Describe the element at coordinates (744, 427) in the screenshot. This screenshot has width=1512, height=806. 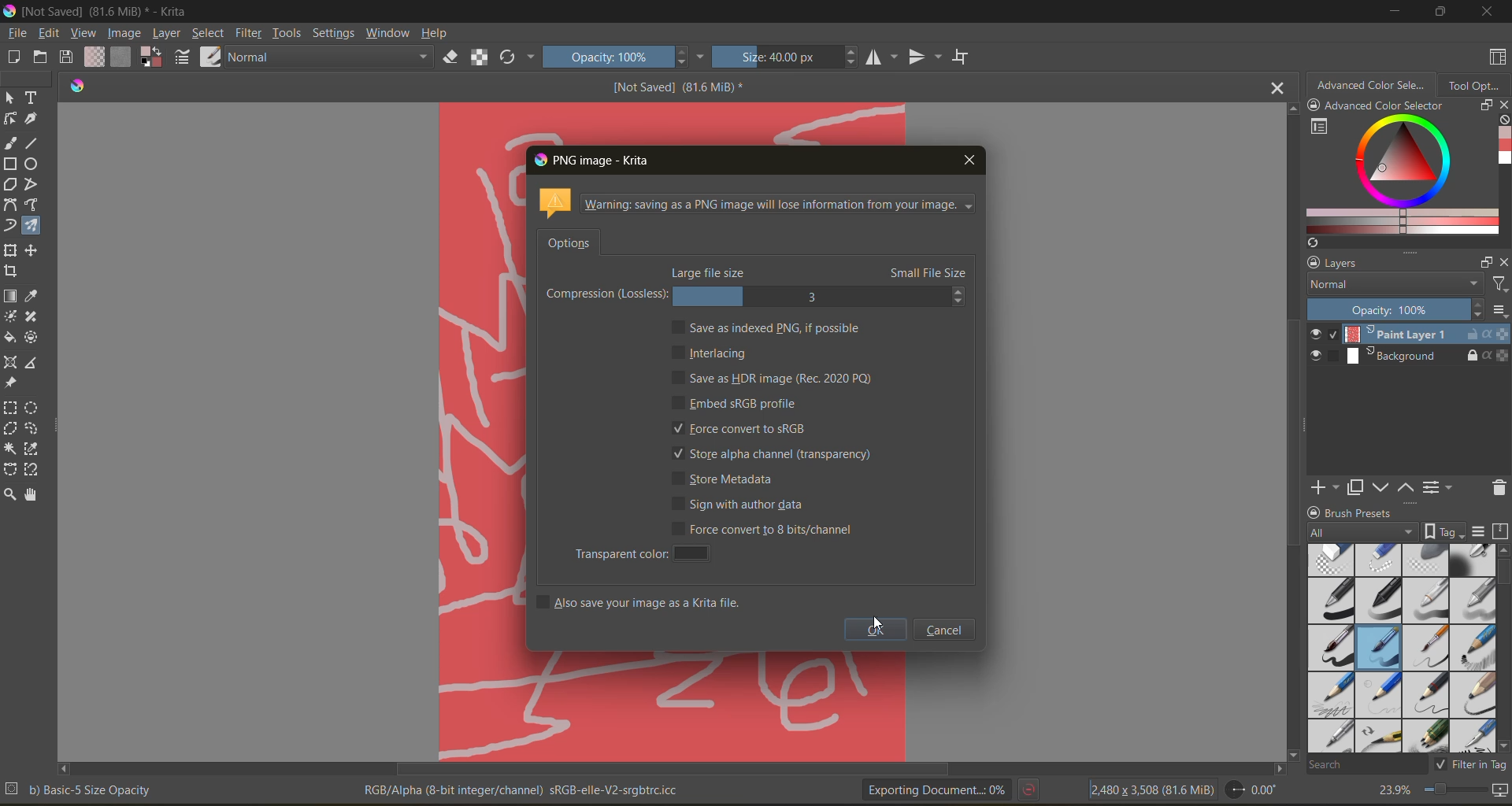
I see `force convert to srgb` at that location.